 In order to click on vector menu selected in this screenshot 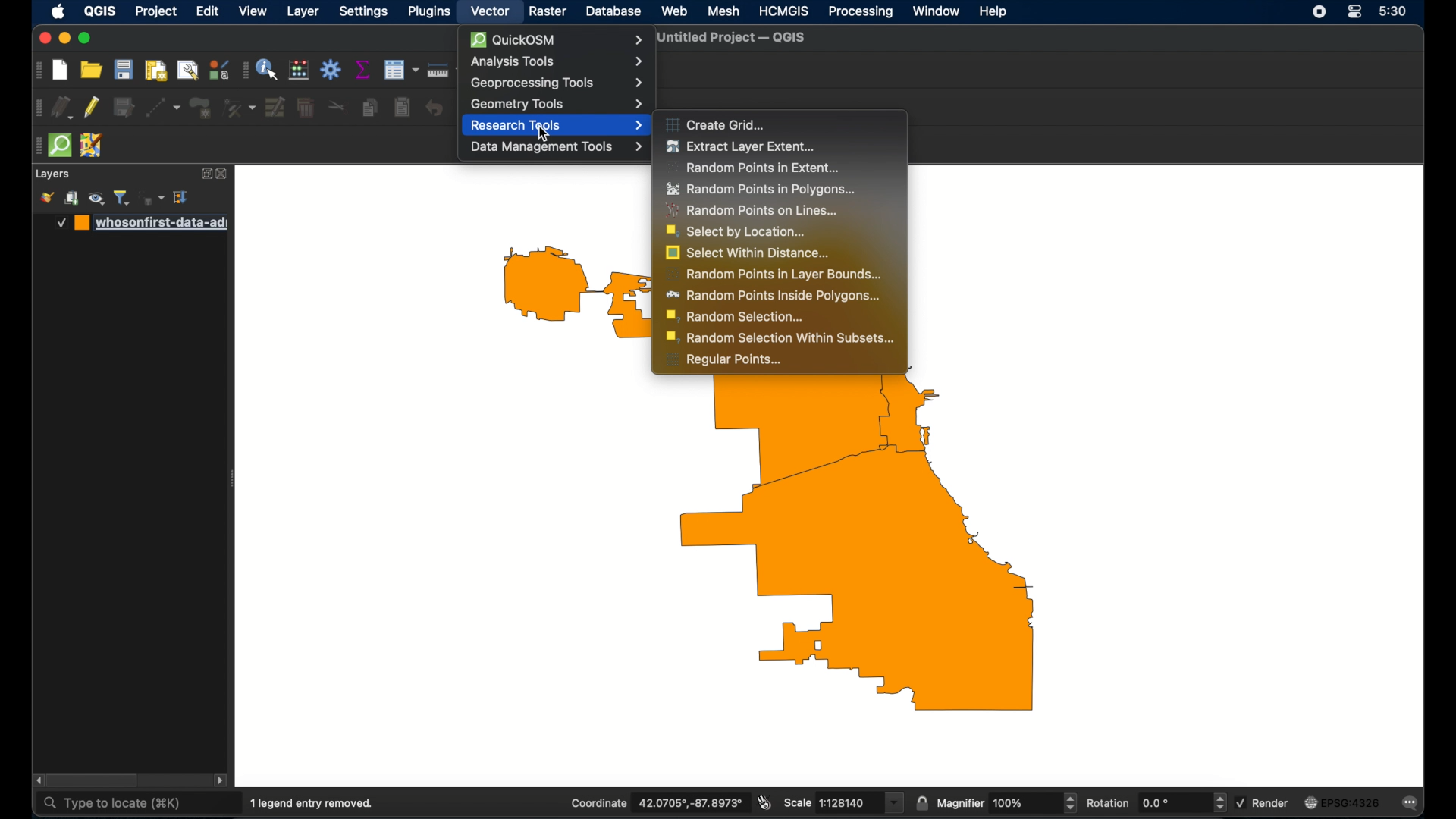, I will do `click(491, 11)`.